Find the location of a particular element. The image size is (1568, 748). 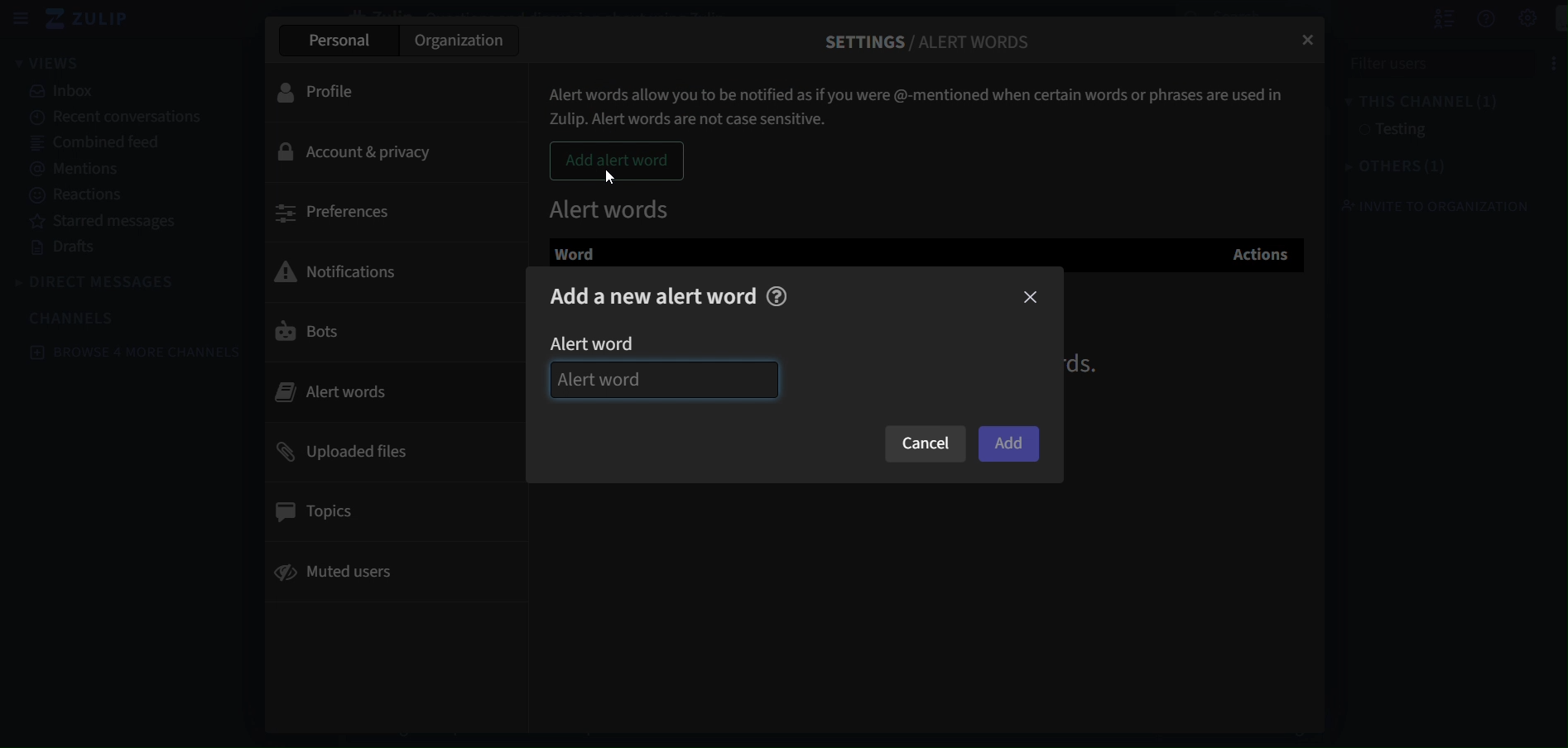

Word is located at coordinates (591, 253).